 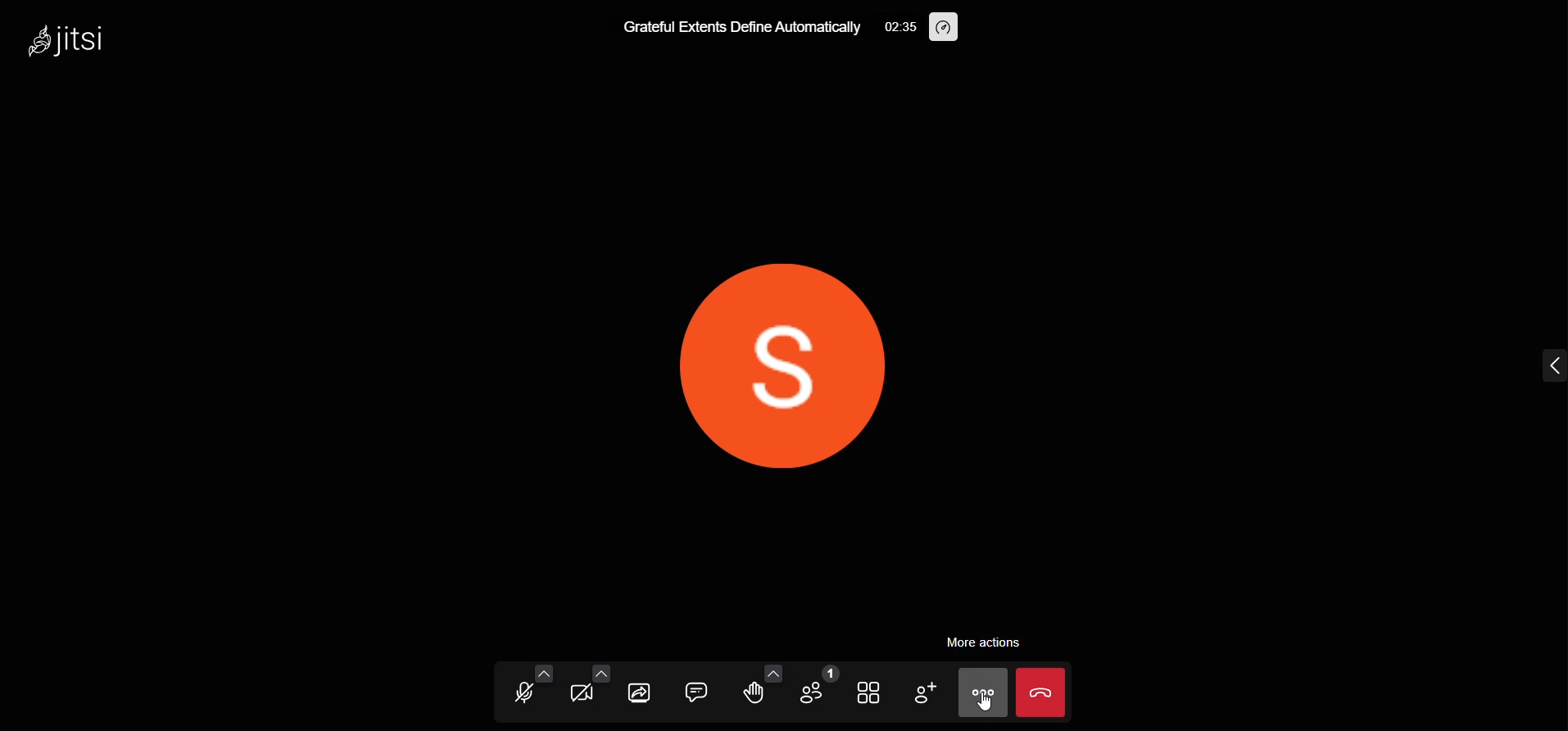 I want to click on more emoji, so click(x=770, y=670).